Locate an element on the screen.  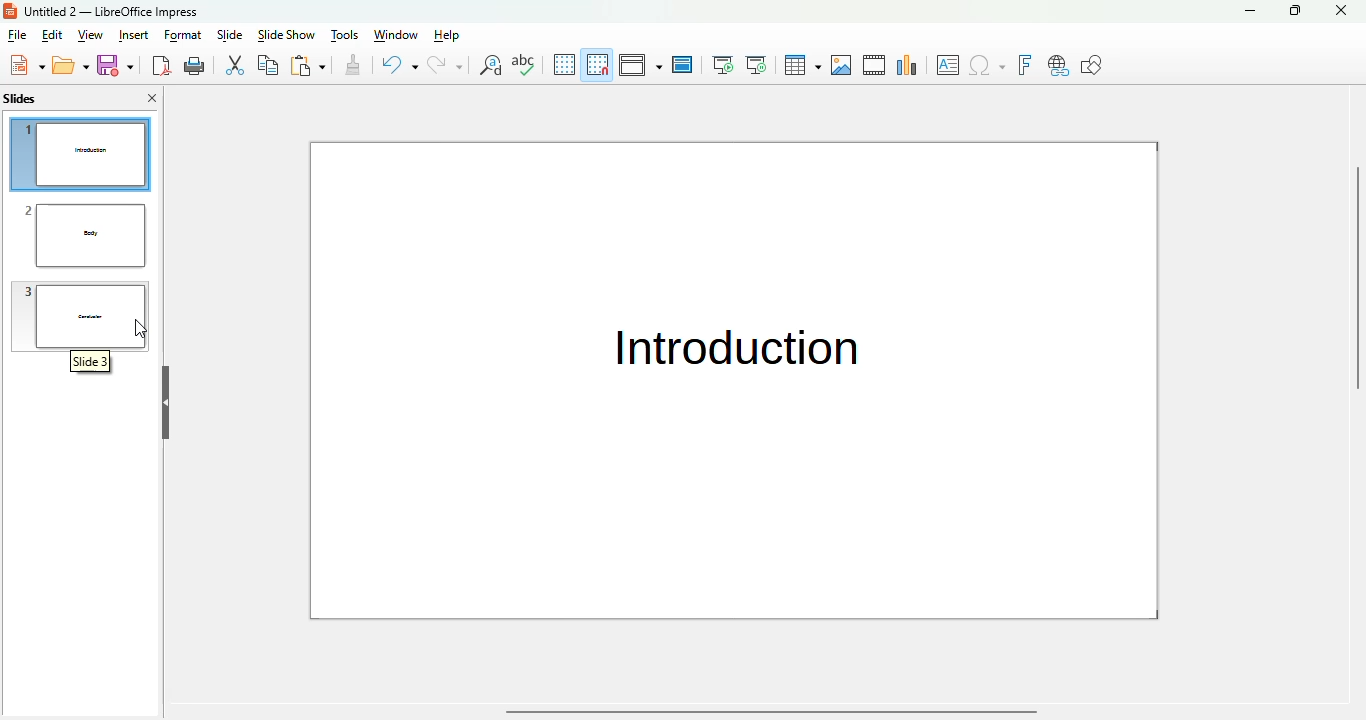
slide 2 is located at coordinates (85, 236).